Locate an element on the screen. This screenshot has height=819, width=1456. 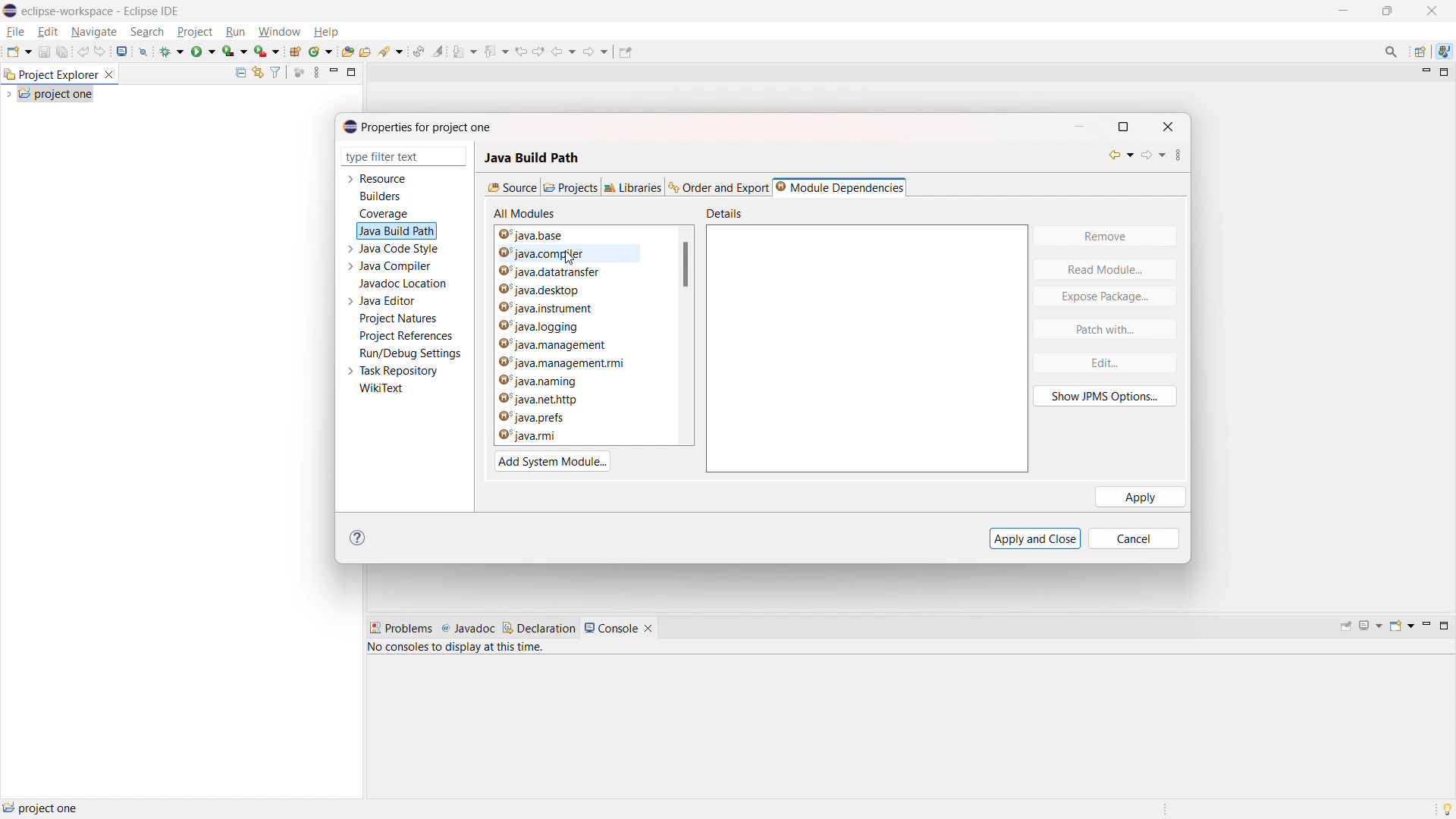
order and export is located at coordinates (720, 187).